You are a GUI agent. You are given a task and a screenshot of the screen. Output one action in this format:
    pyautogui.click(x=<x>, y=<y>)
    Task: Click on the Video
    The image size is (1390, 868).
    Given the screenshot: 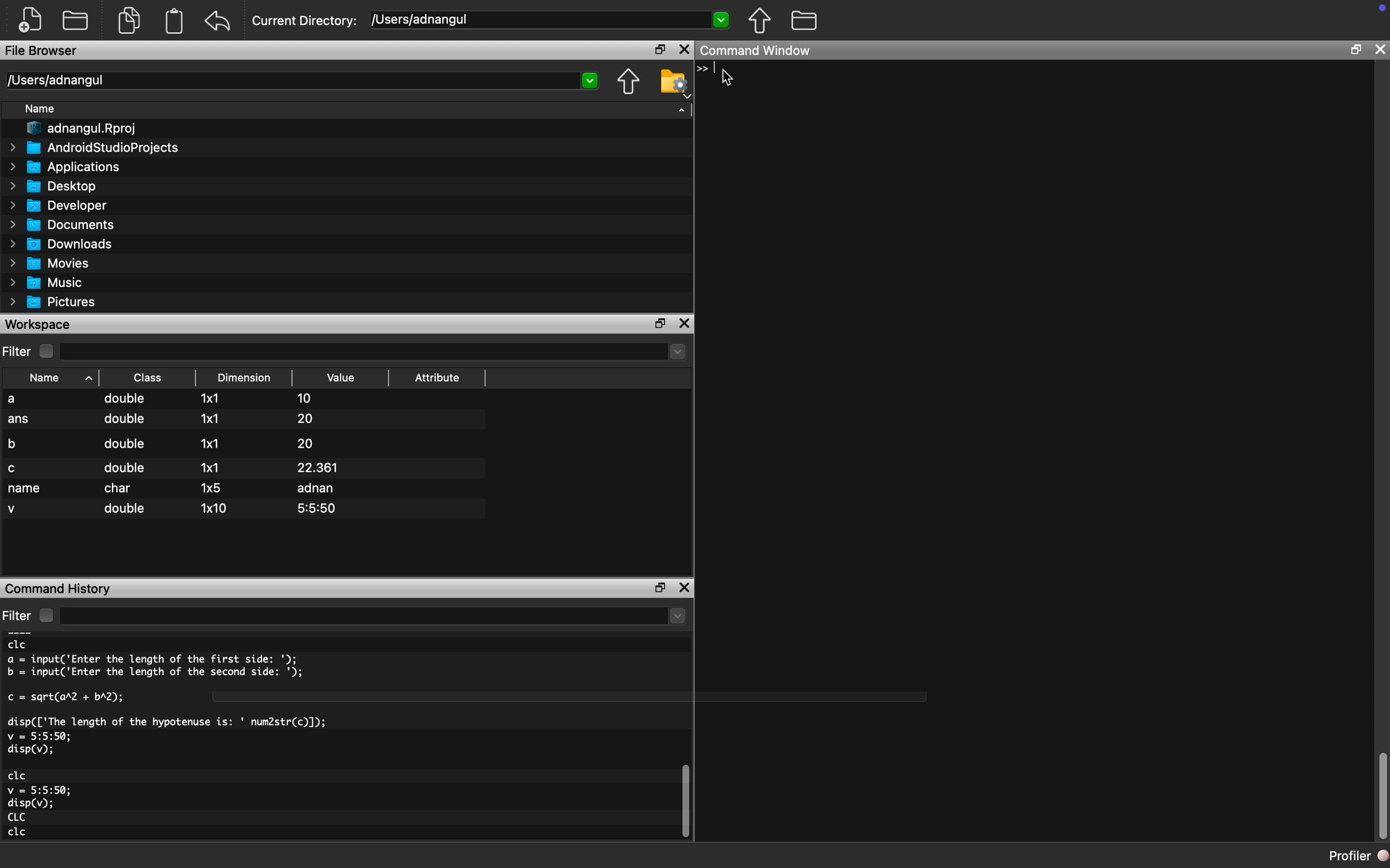 What is the action you would take?
    pyautogui.click(x=349, y=375)
    